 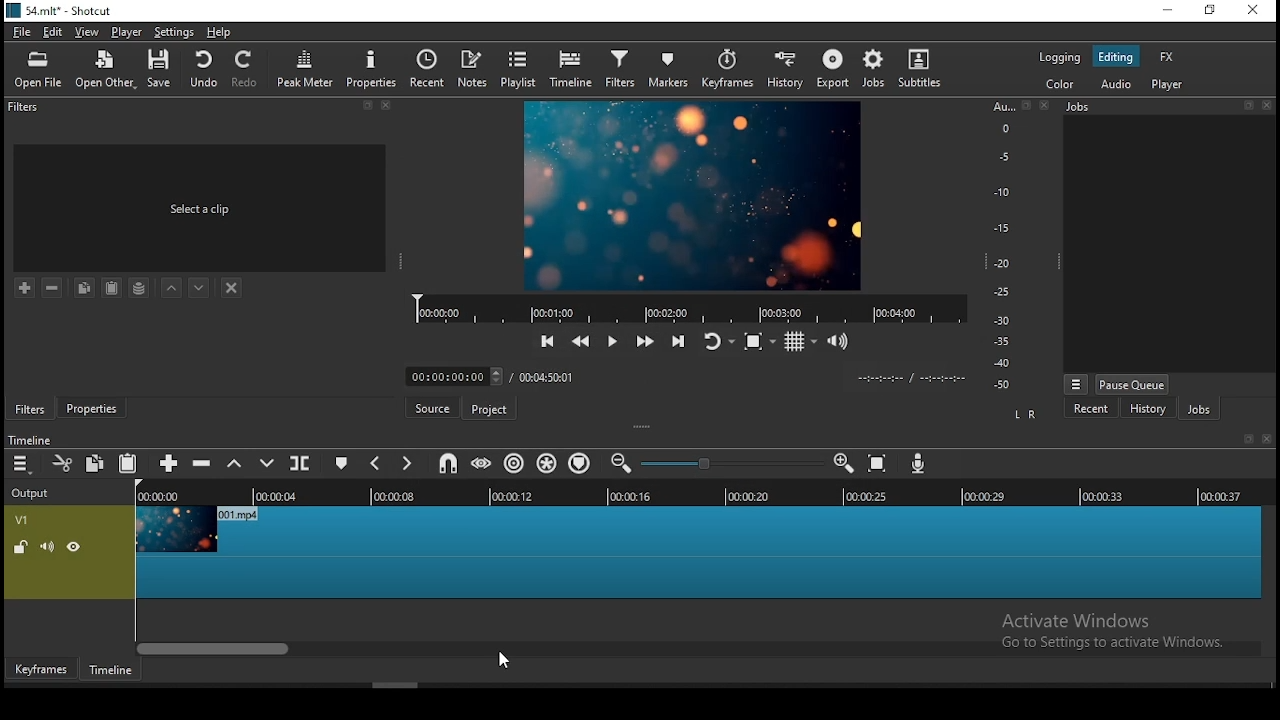 I want to click on volume, so click(x=47, y=546).